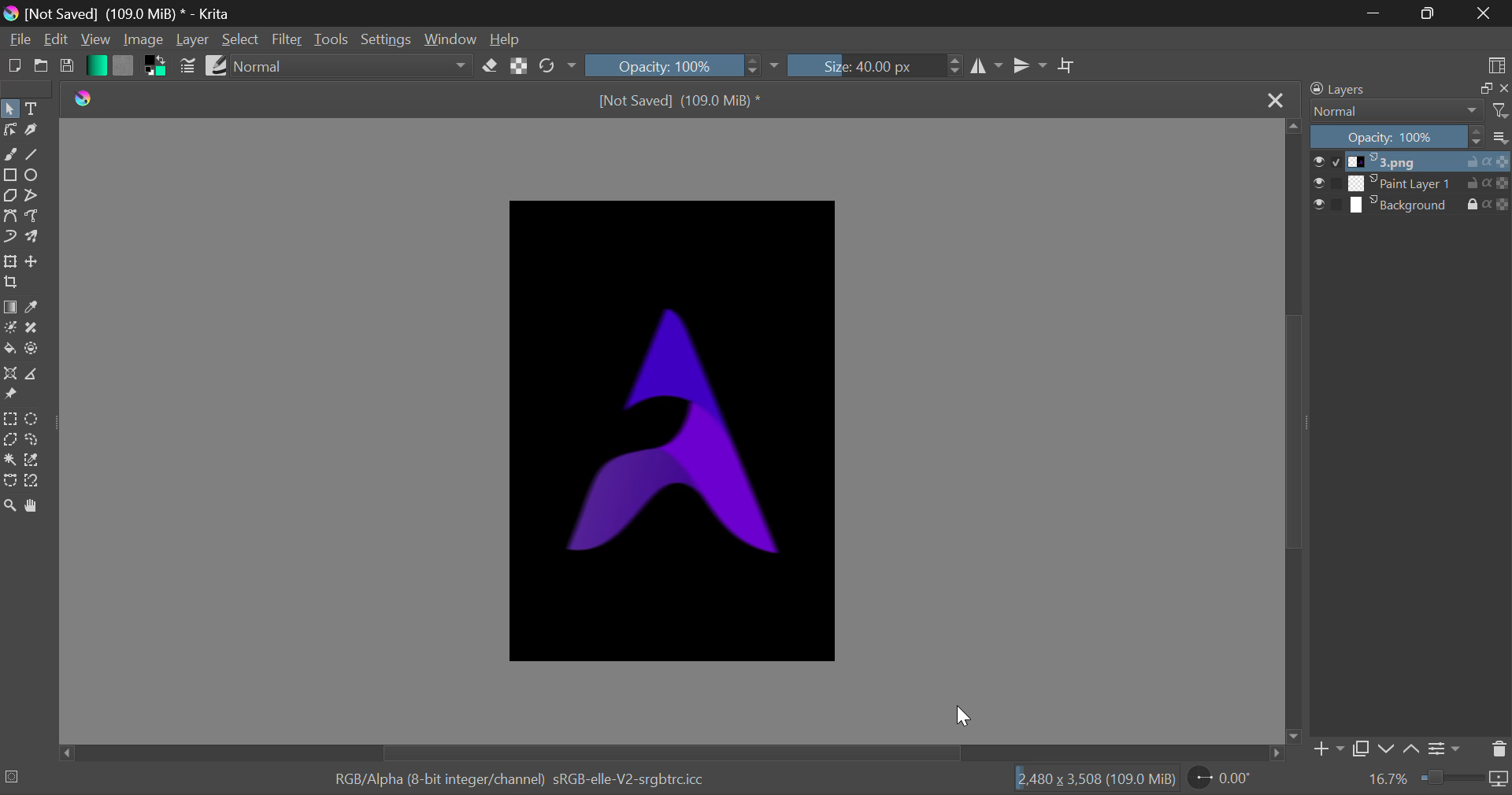 Image resolution: width=1512 pixels, height=795 pixels. Describe the element at coordinates (134, 13) in the screenshot. I see `[Not Saved] (109.0 MiB) * - Krita` at that location.